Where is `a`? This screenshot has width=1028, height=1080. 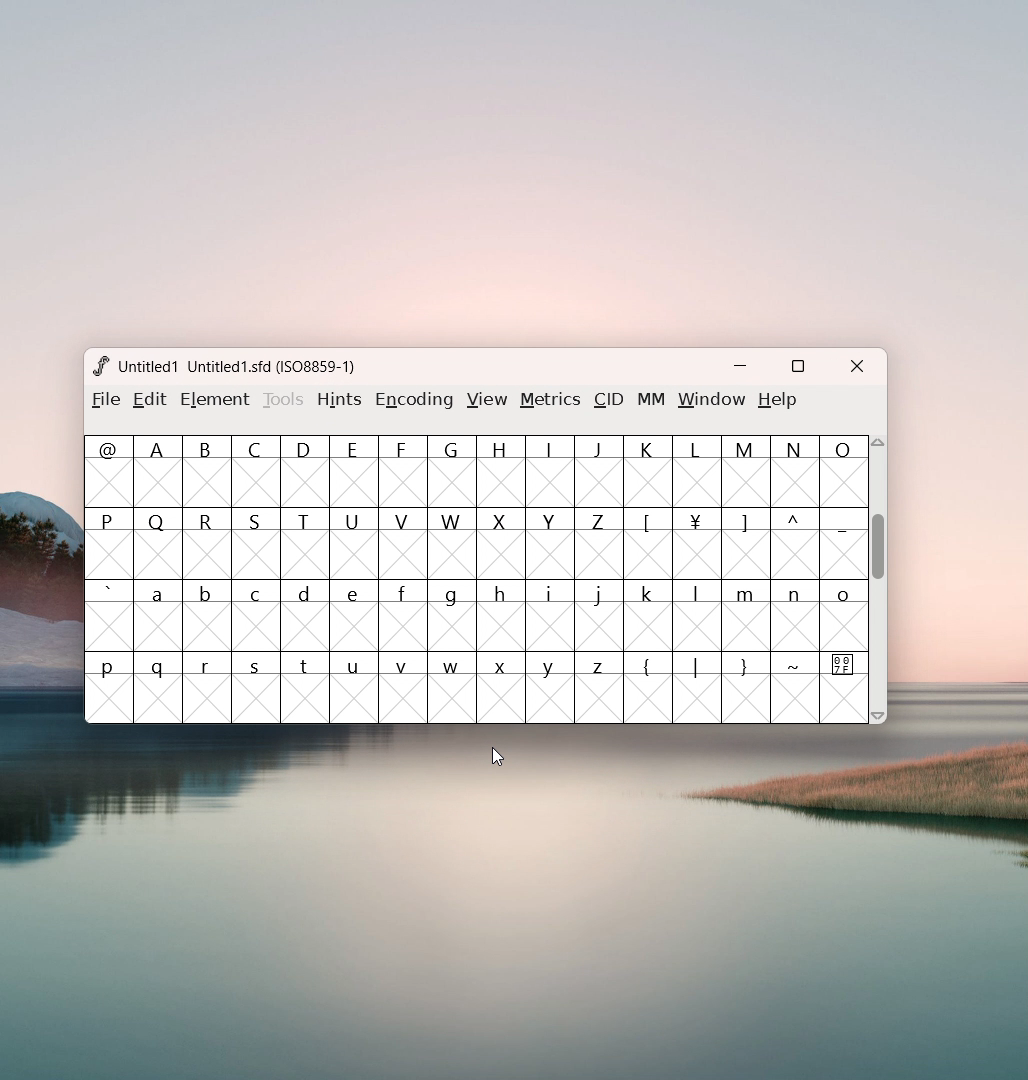
a is located at coordinates (159, 616).